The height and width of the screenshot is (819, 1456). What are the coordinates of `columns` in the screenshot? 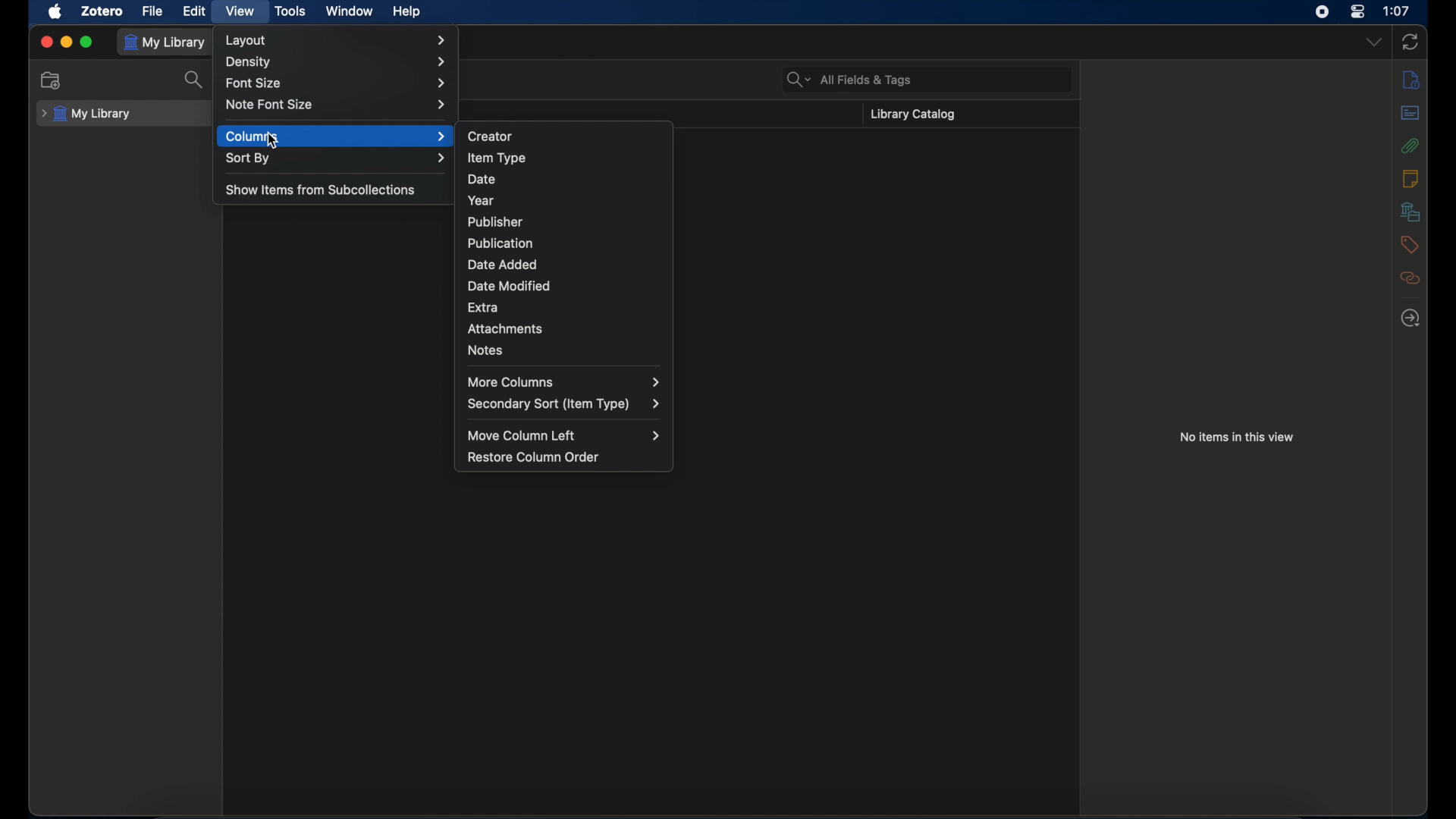 It's located at (336, 137).